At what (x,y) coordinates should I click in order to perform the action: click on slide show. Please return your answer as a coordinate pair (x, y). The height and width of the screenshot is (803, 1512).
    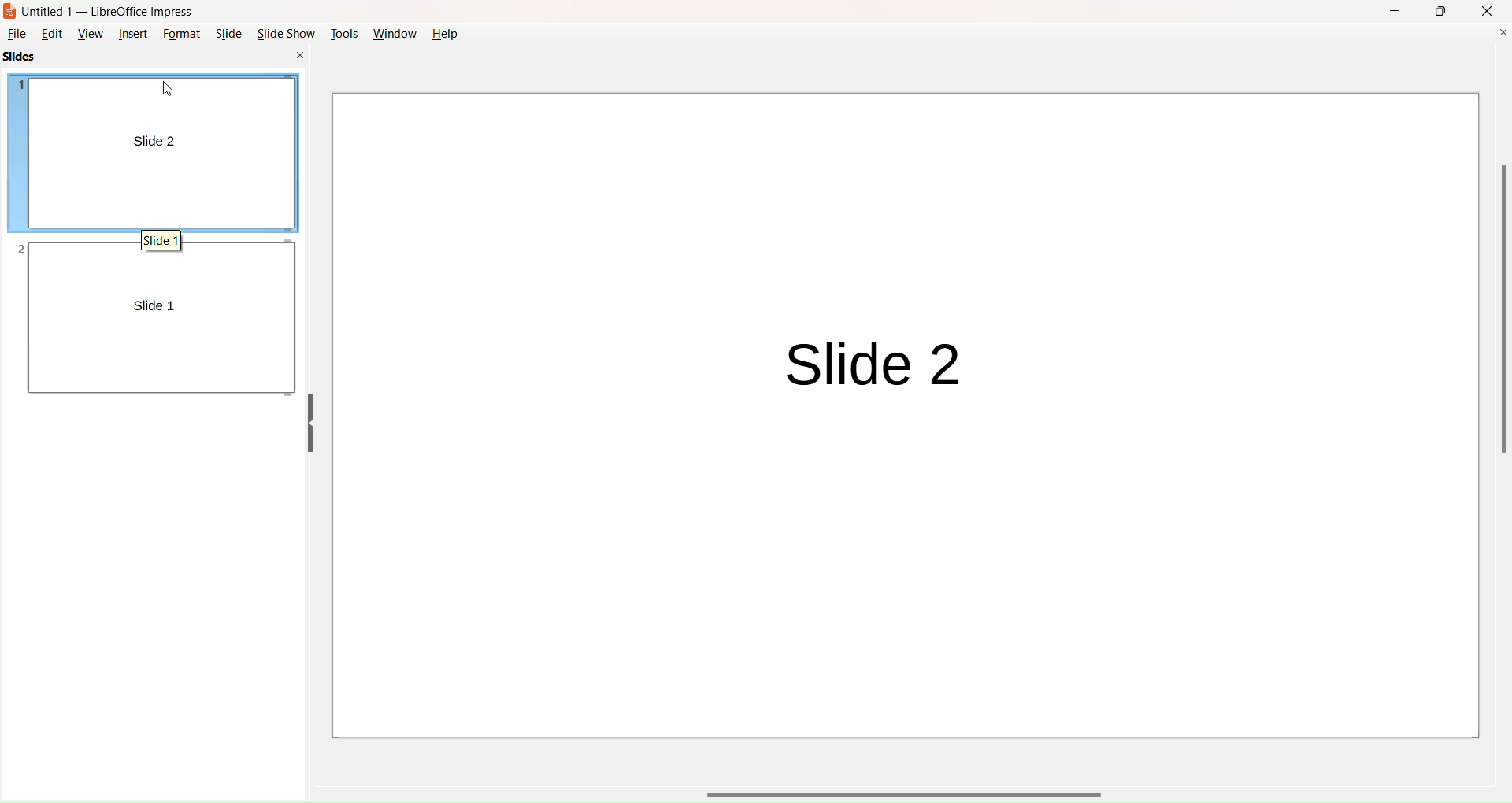
    Looking at the image, I should click on (287, 33).